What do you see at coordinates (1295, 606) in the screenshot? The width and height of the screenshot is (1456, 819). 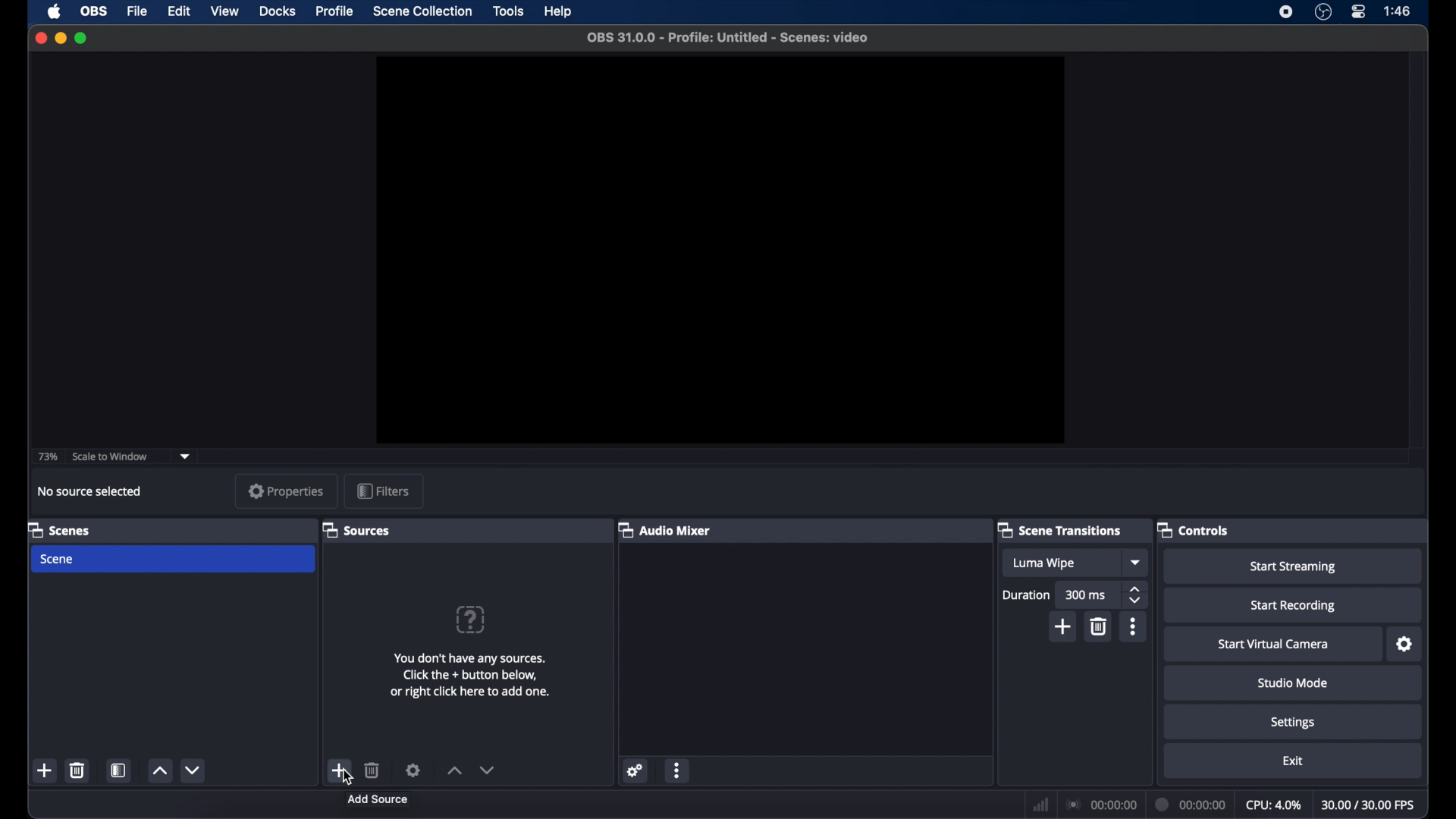 I see `start recording` at bounding box center [1295, 606].